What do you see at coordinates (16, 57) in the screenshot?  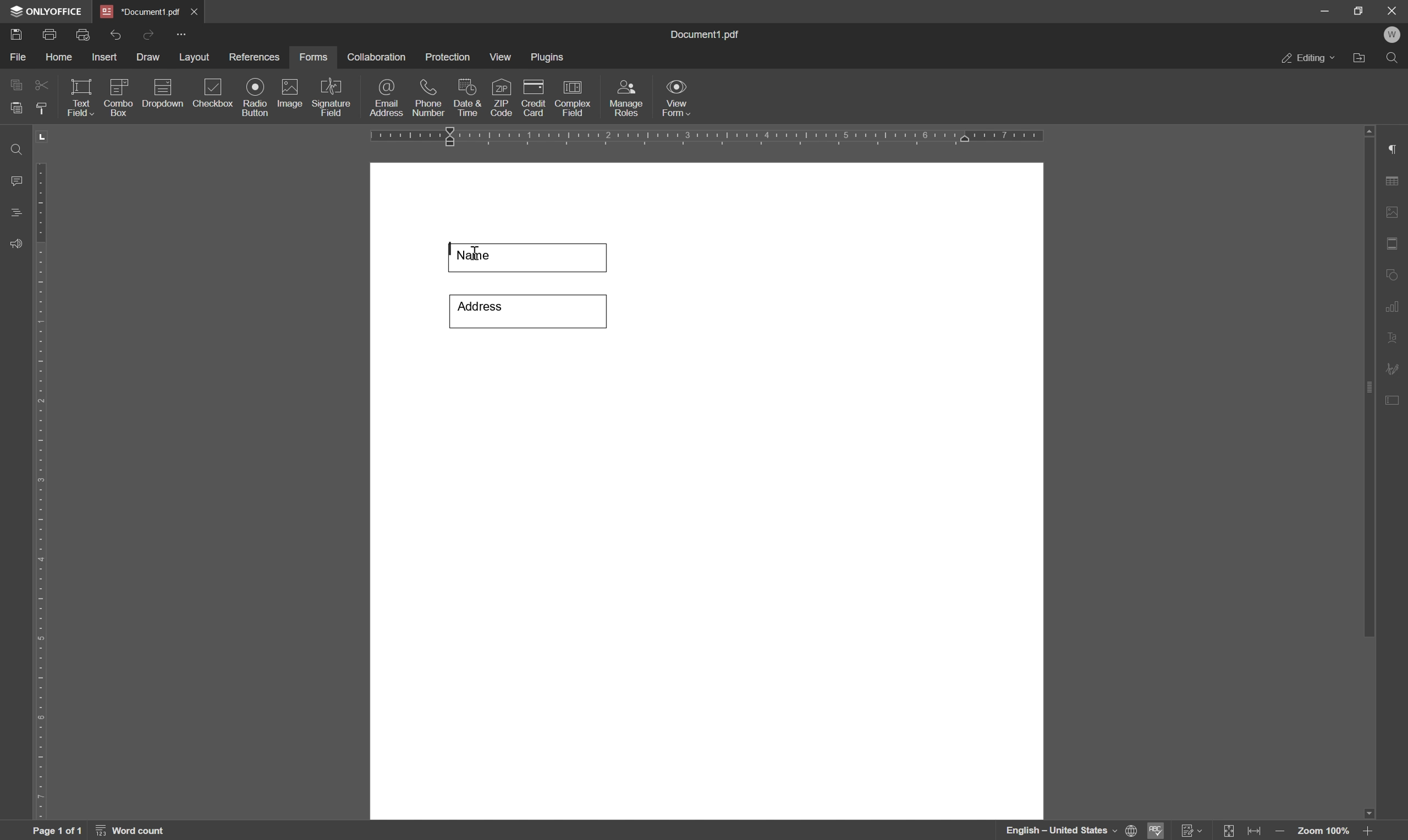 I see `file` at bounding box center [16, 57].